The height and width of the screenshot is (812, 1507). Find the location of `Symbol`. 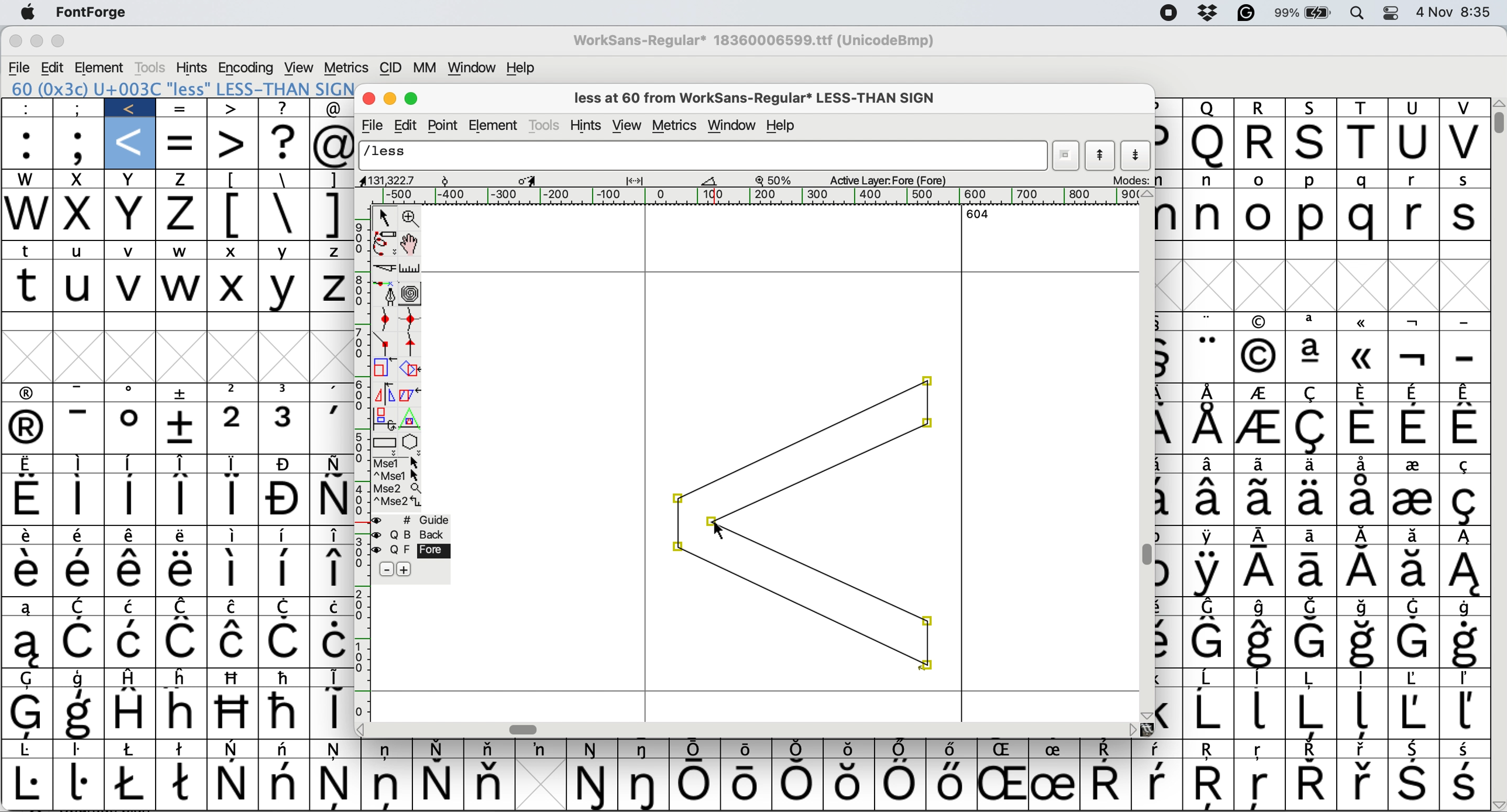

Symbol is located at coordinates (135, 749).